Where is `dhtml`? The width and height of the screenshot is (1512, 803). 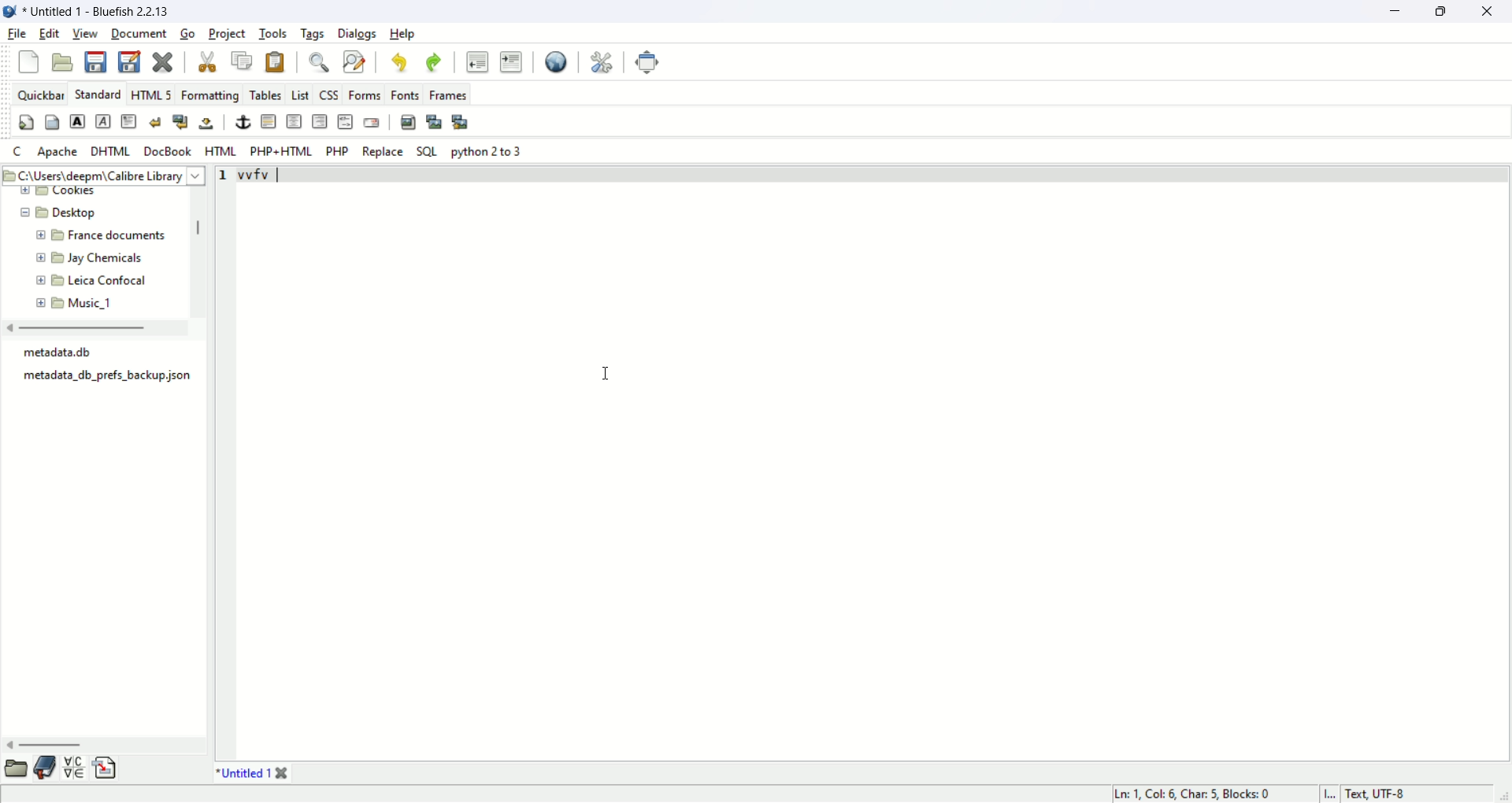
dhtml is located at coordinates (109, 152).